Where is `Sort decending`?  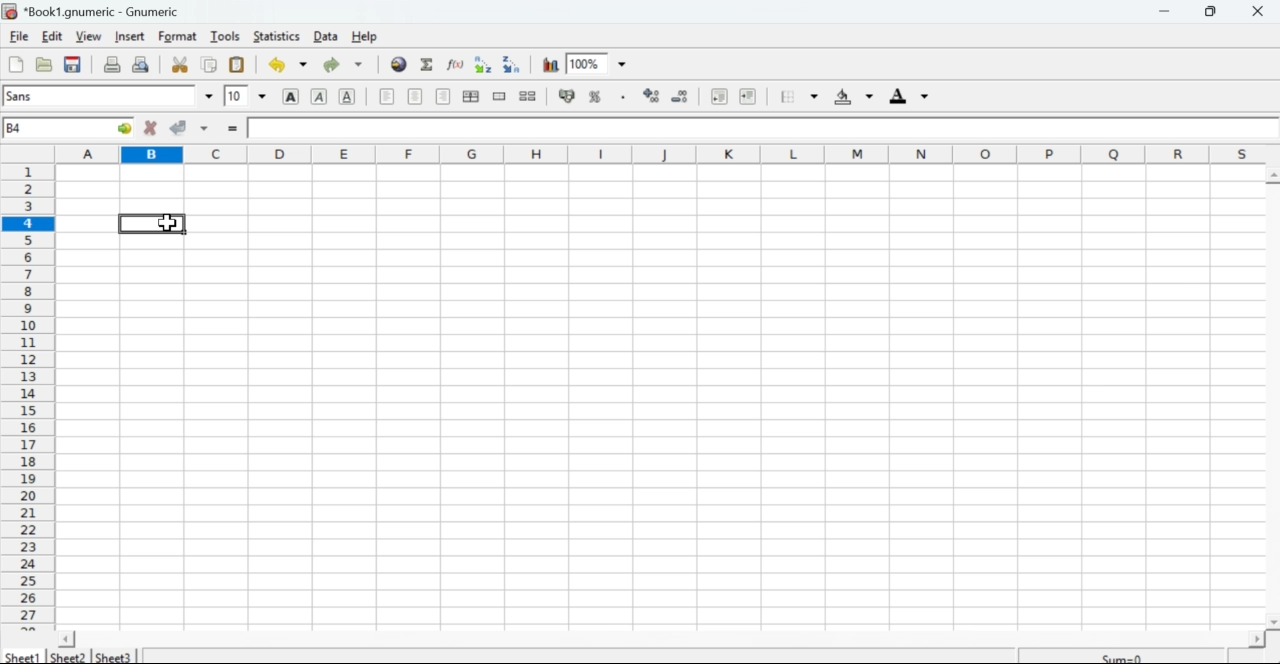 Sort decending is located at coordinates (514, 64).